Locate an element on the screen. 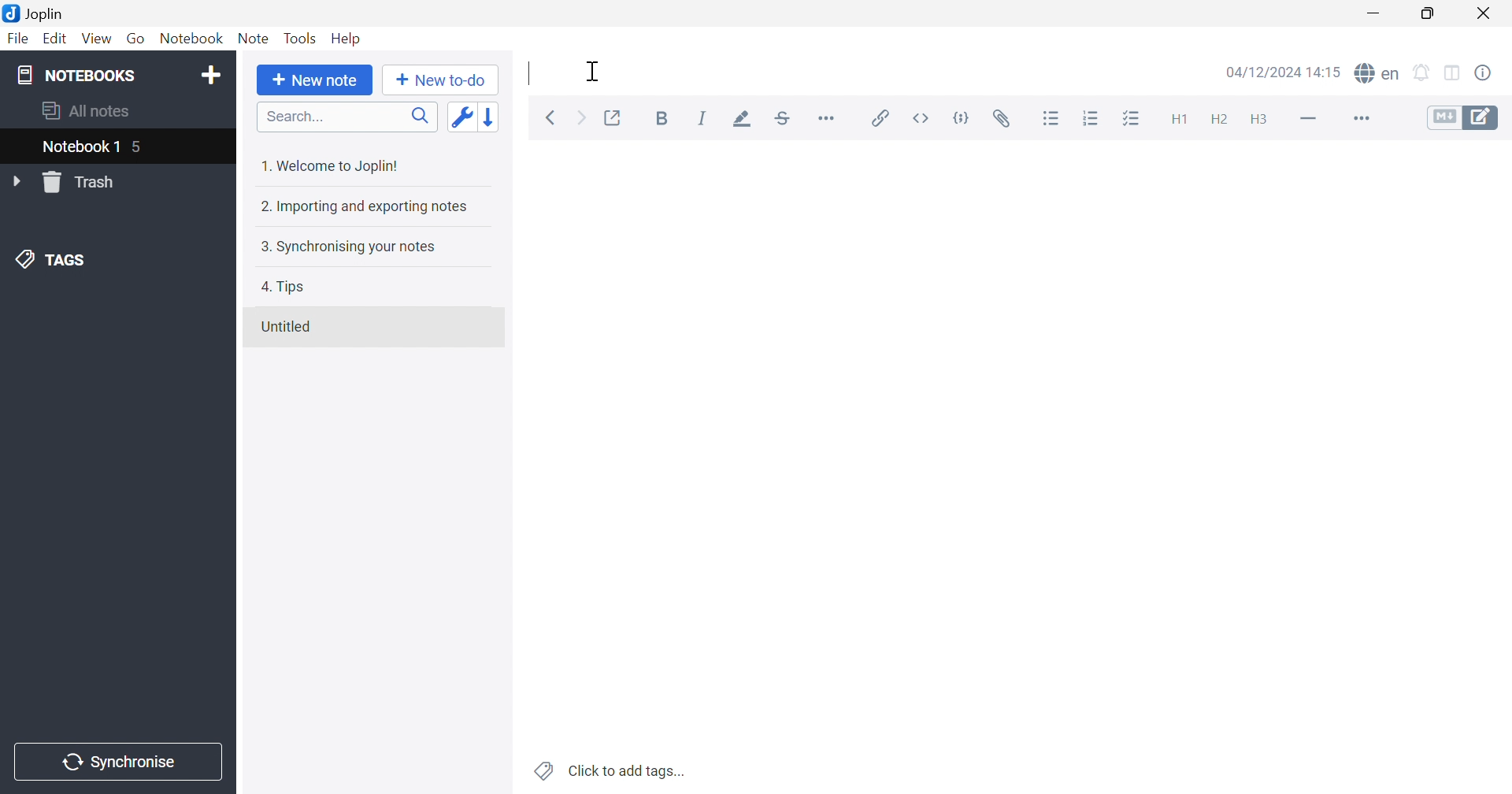  More... is located at coordinates (1359, 120).